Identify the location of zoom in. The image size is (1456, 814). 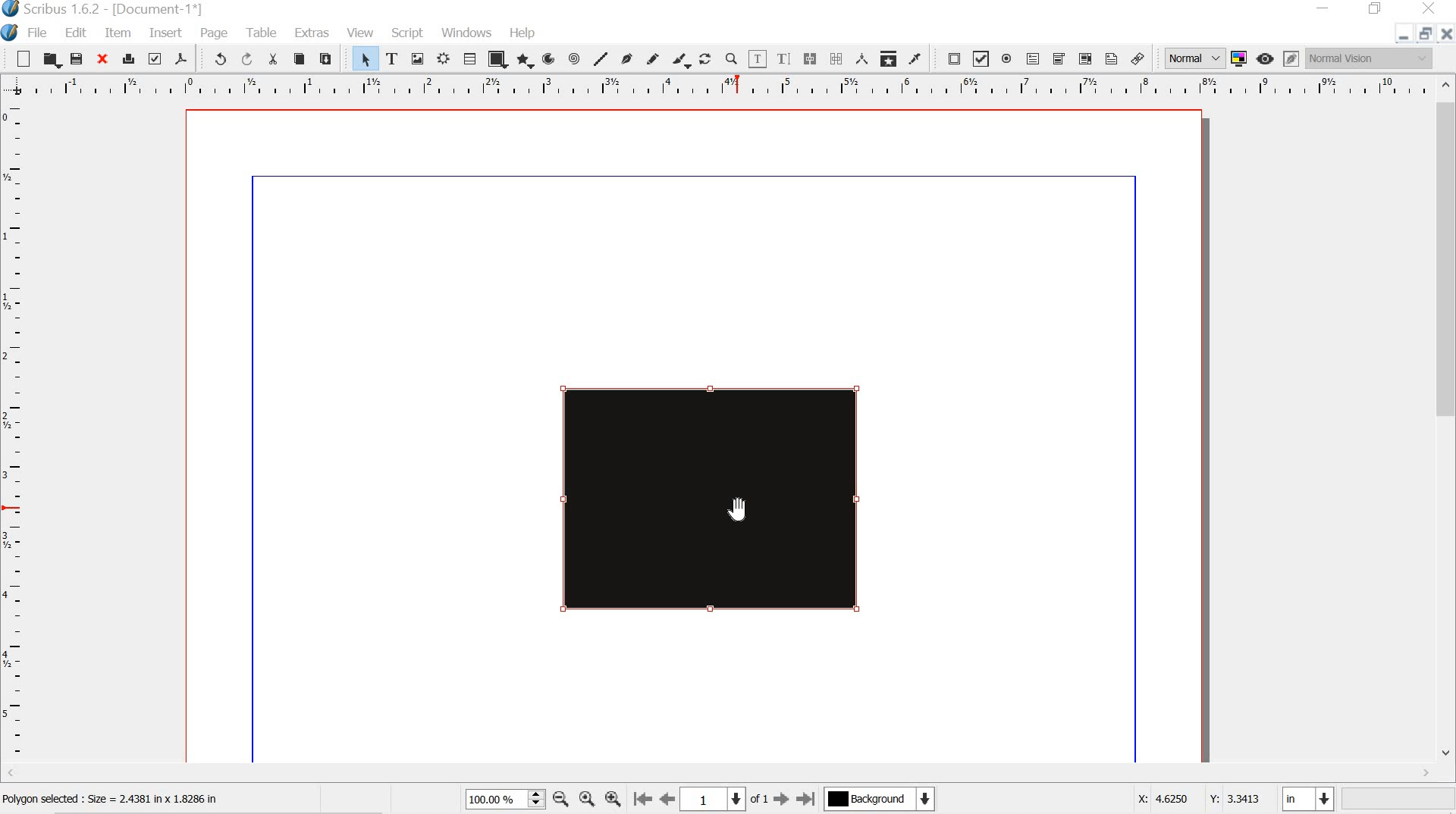
(611, 801).